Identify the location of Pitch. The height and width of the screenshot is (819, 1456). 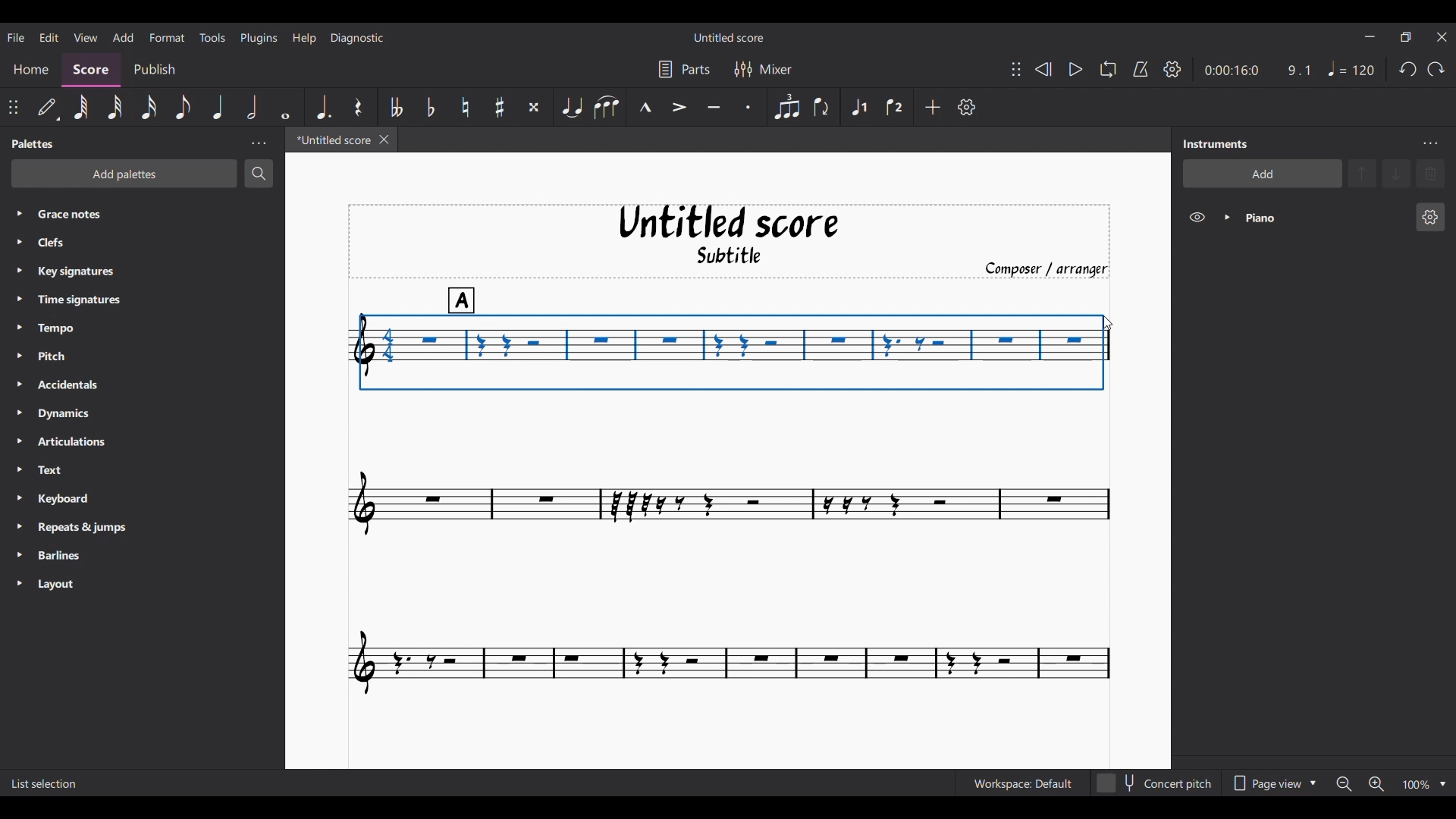
(86, 355).